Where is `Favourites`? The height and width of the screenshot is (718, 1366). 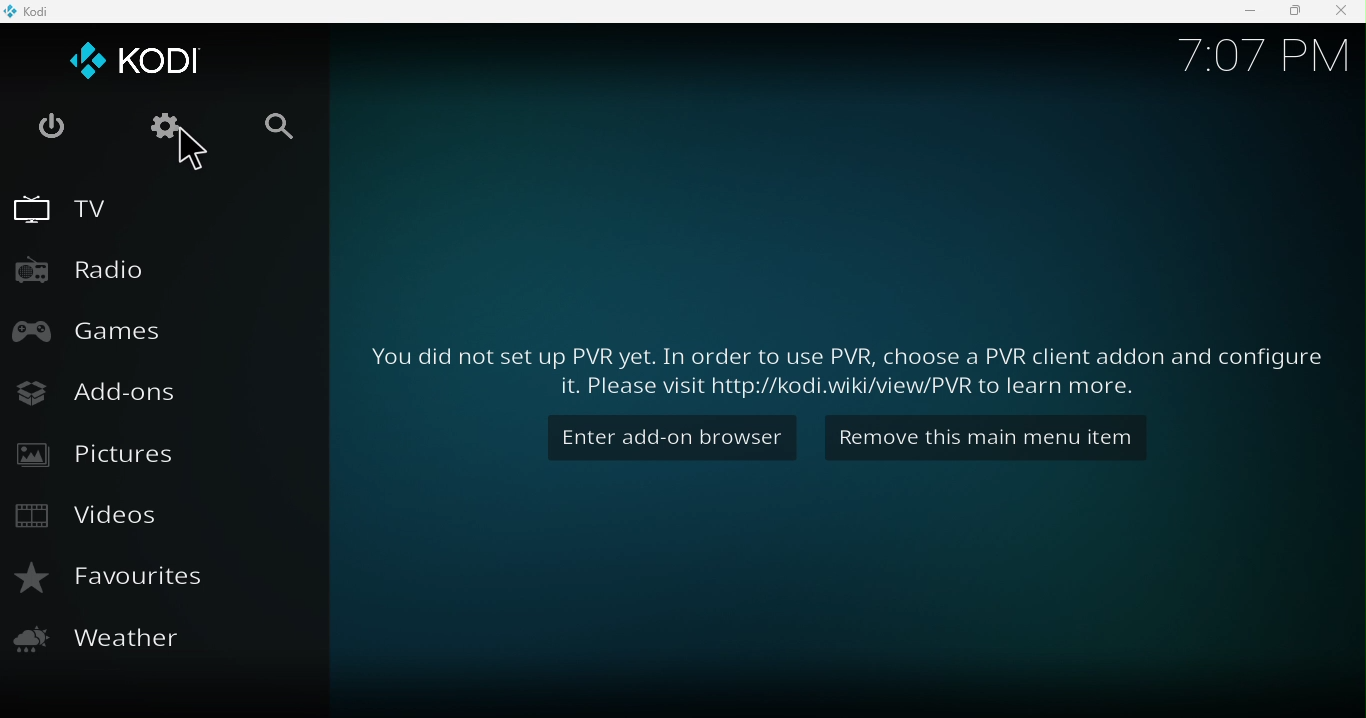 Favourites is located at coordinates (110, 579).